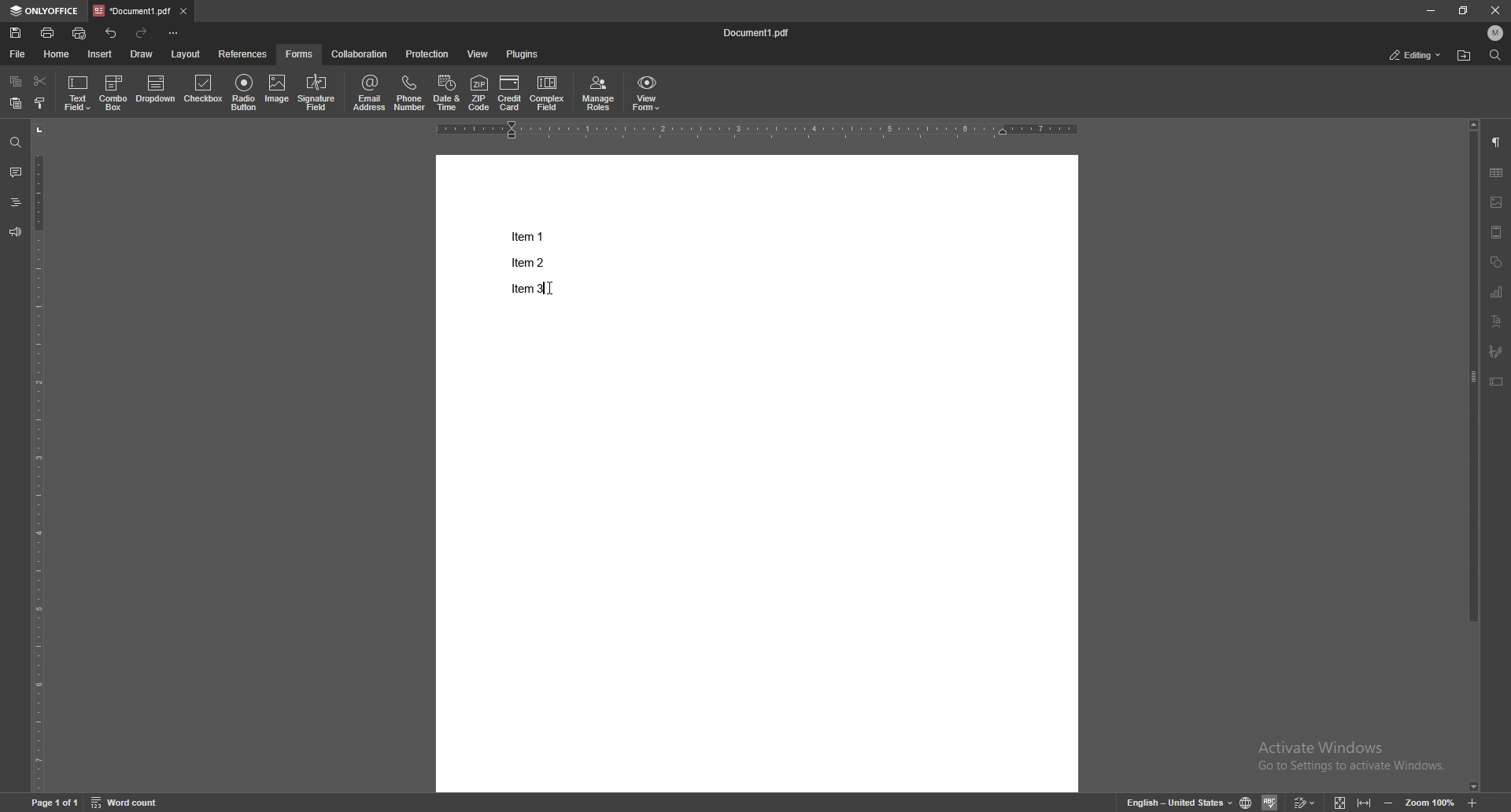 The width and height of the screenshot is (1511, 812). What do you see at coordinates (15, 142) in the screenshot?
I see `find` at bounding box center [15, 142].